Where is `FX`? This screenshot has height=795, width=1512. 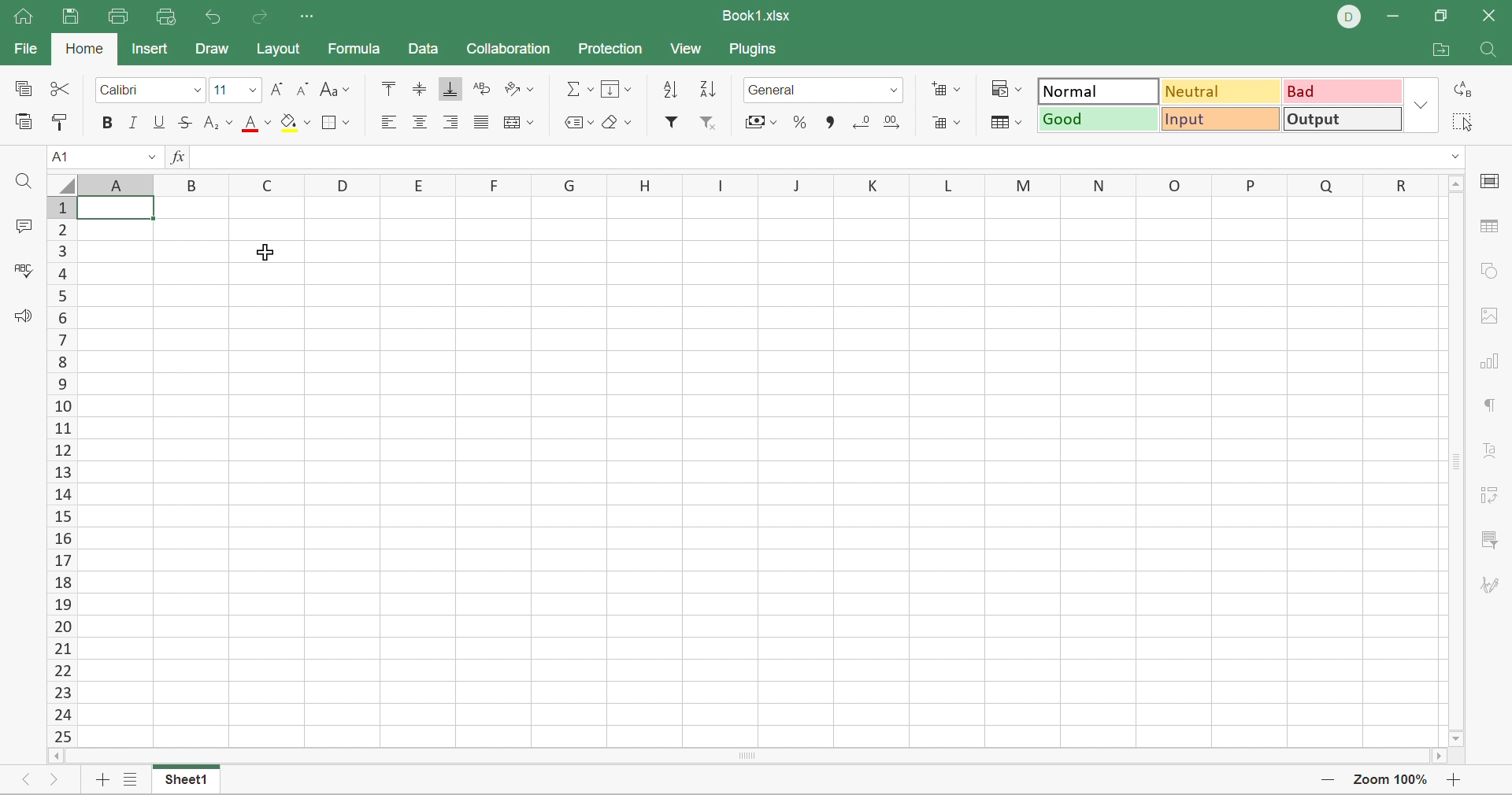
FX is located at coordinates (181, 158).